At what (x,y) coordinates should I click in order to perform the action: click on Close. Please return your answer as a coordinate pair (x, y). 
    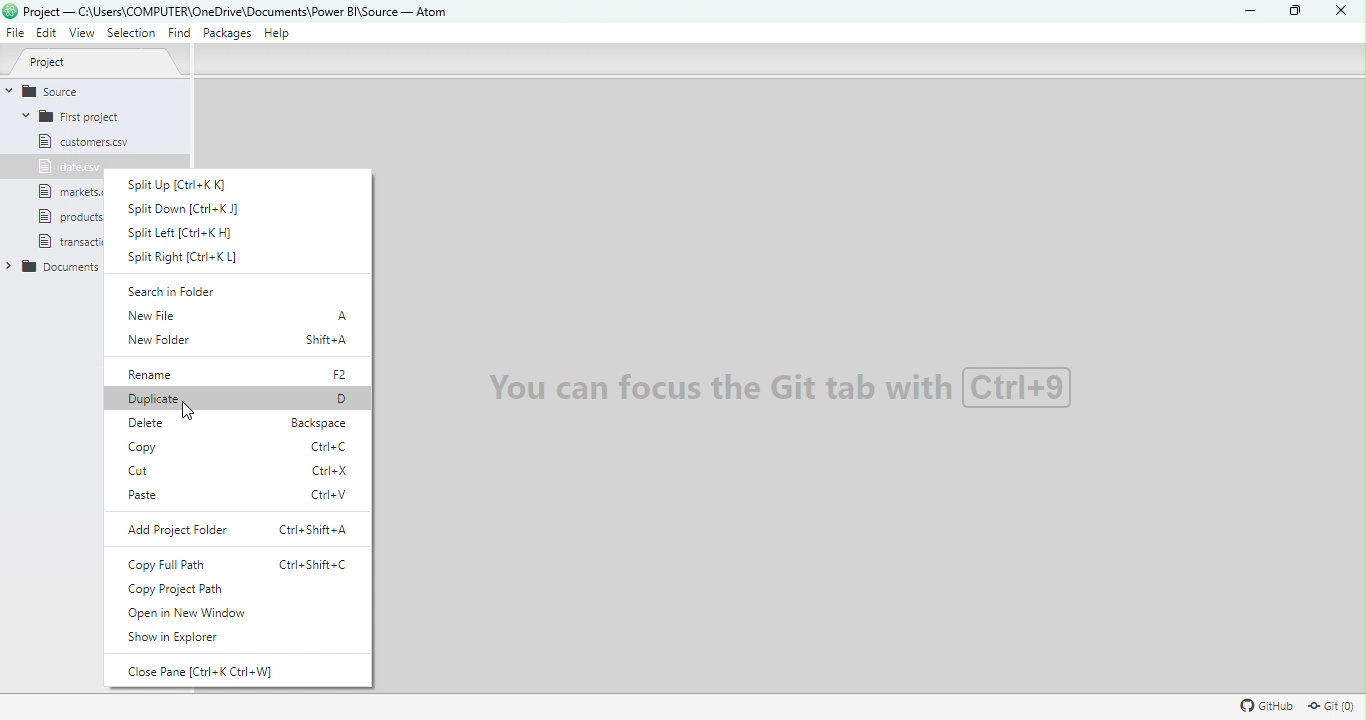
    Looking at the image, I should click on (1336, 11).